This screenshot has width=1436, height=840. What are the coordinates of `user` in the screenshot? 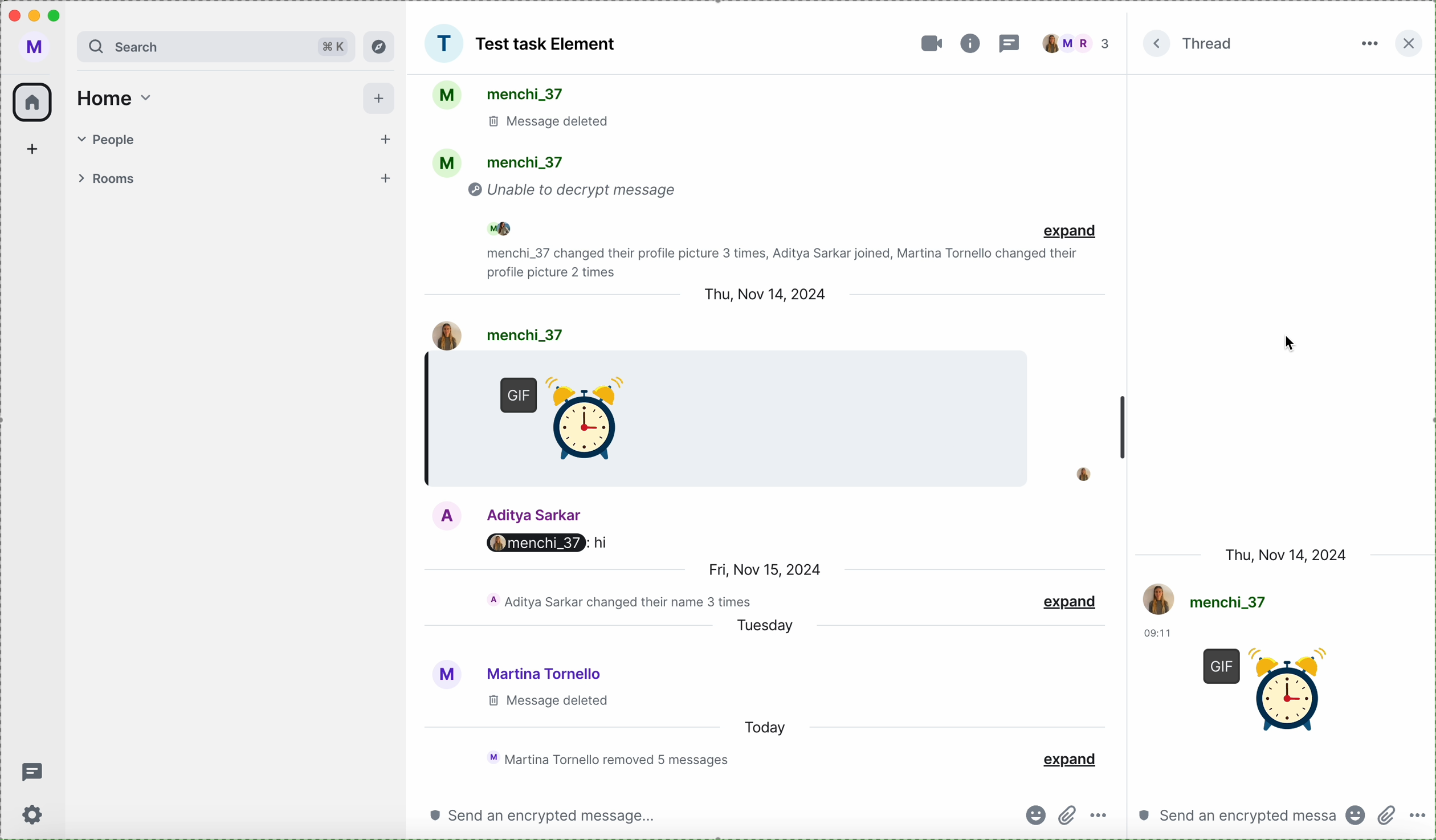 It's located at (515, 671).